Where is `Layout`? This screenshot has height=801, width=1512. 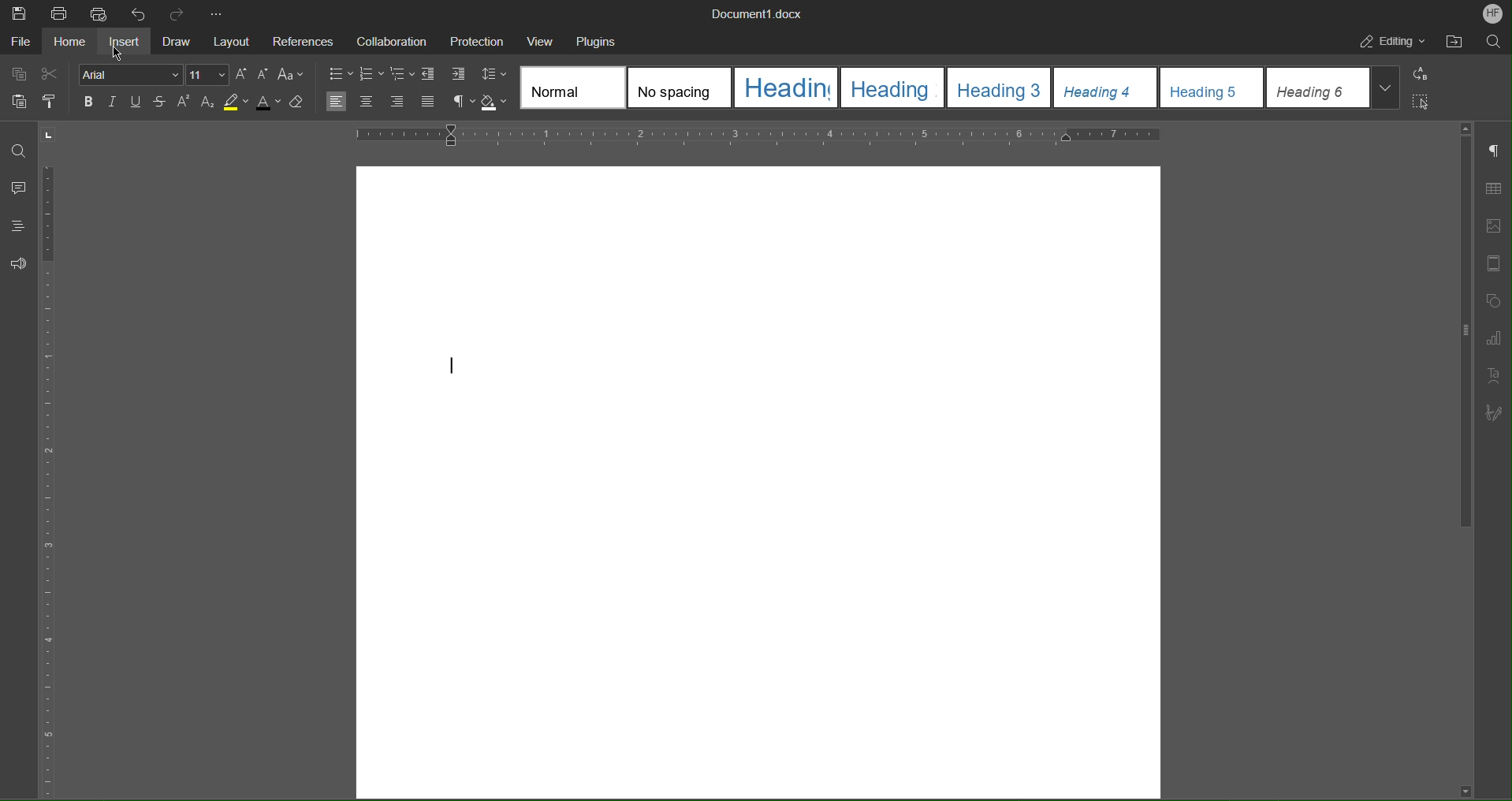
Layout is located at coordinates (232, 39).